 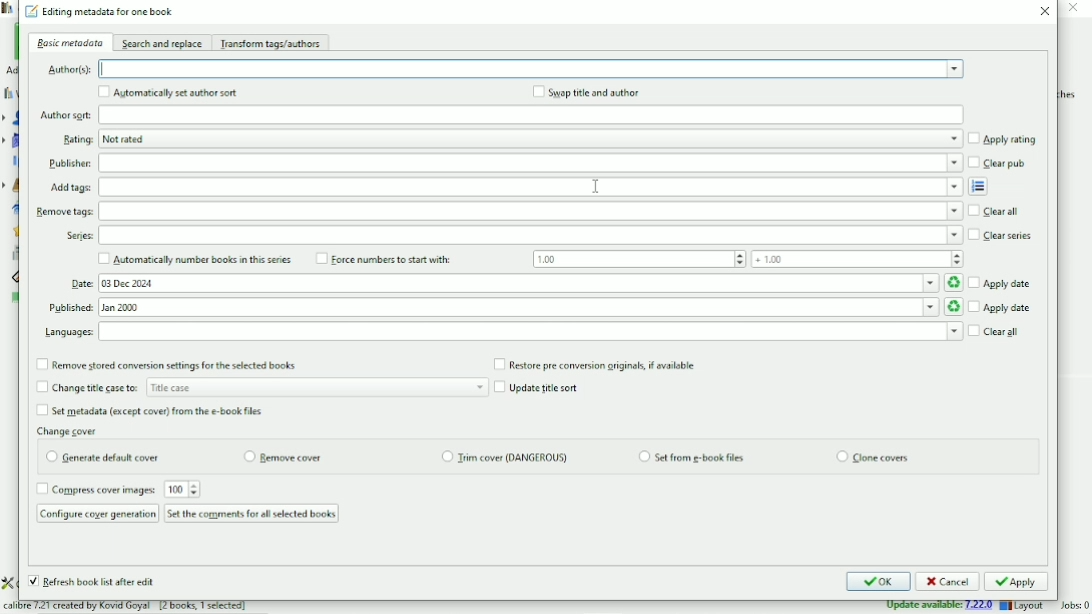 What do you see at coordinates (101, 457) in the screenshot?
I see `Generate default cover radio button` at bounding box center [101, 457].